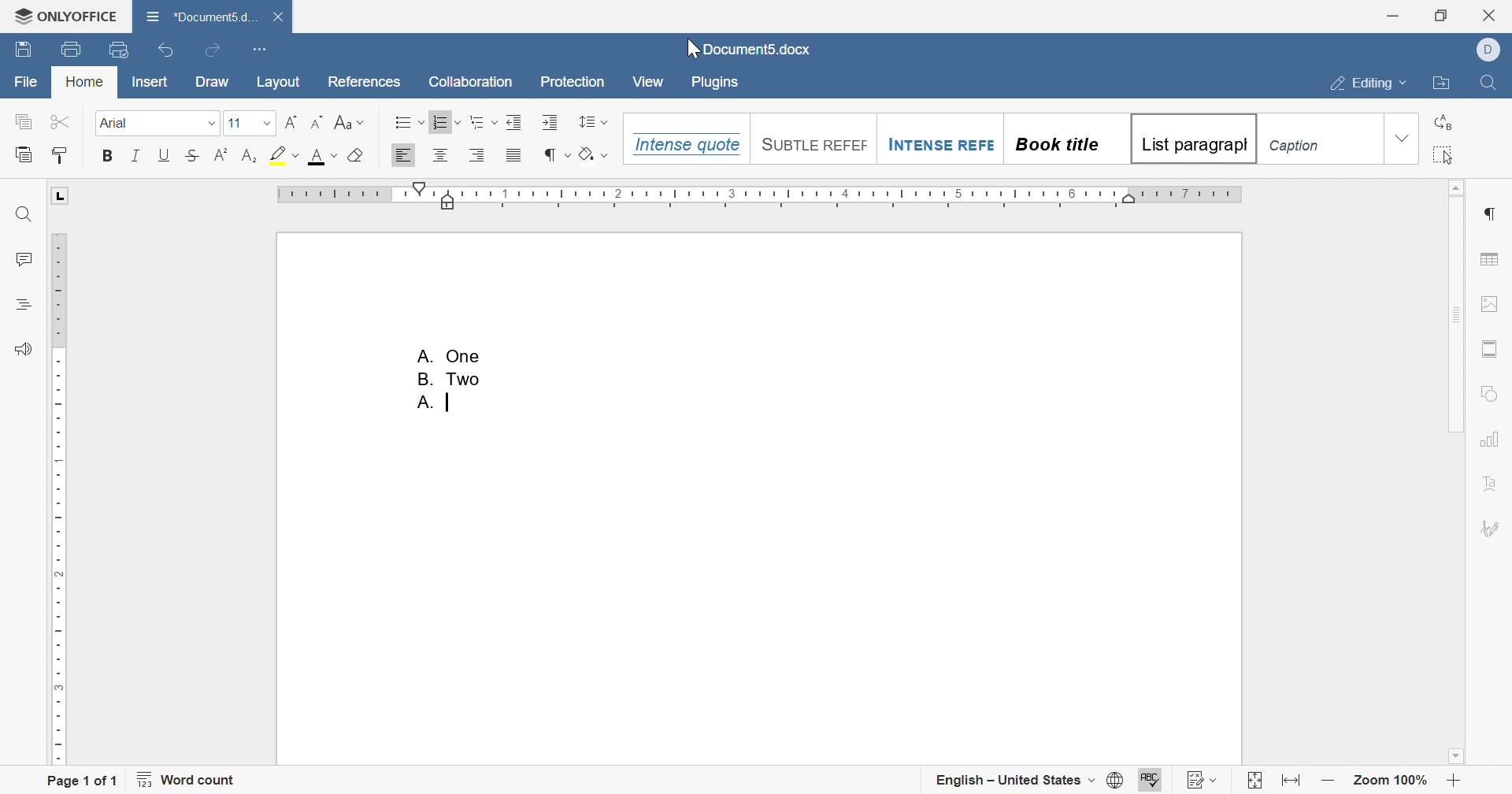 This screenshot has width=1512, height=794. I want to click on Underline, so click(164, 155).